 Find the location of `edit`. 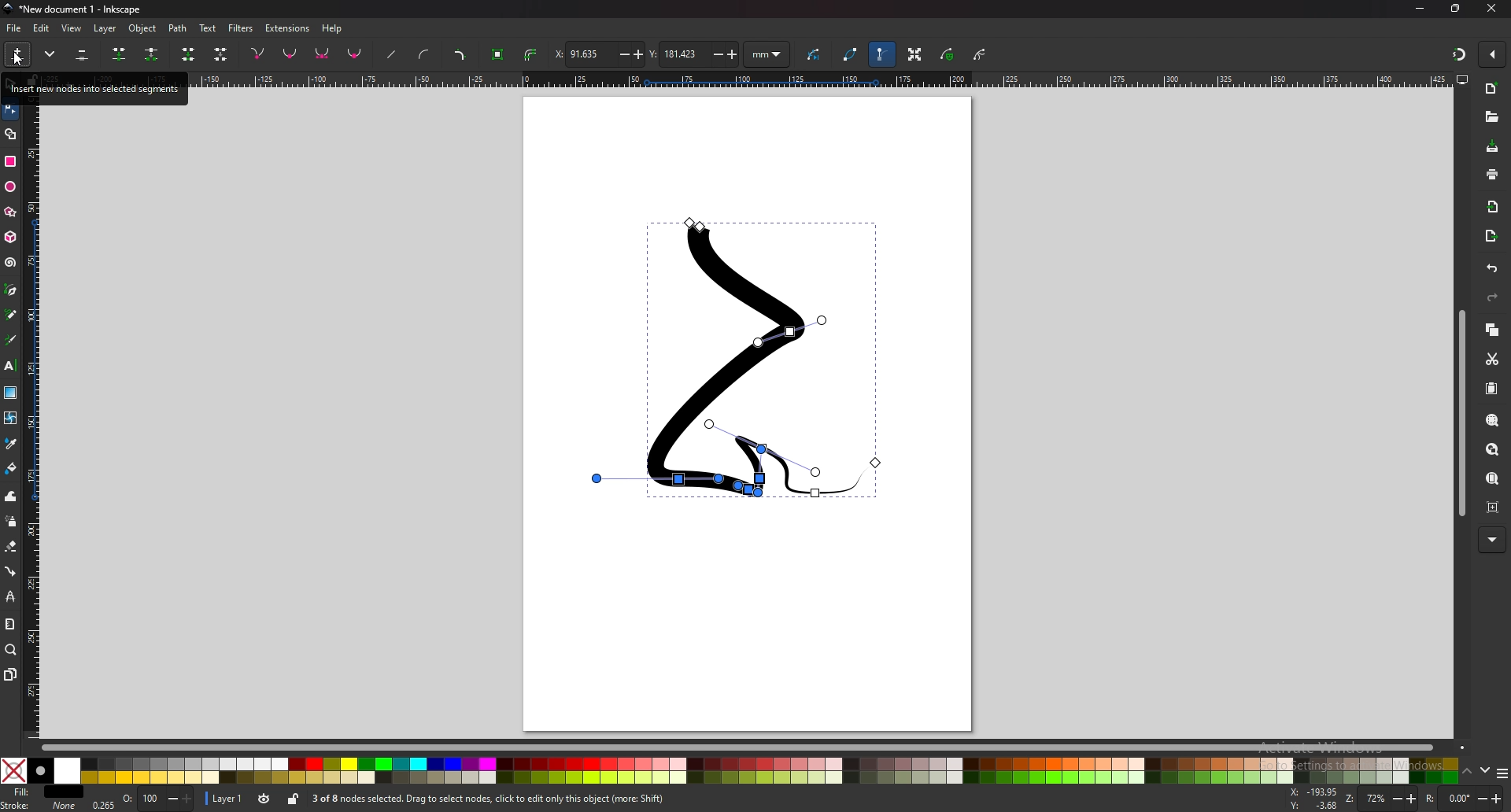

edit is located at coordinates (43, 28).